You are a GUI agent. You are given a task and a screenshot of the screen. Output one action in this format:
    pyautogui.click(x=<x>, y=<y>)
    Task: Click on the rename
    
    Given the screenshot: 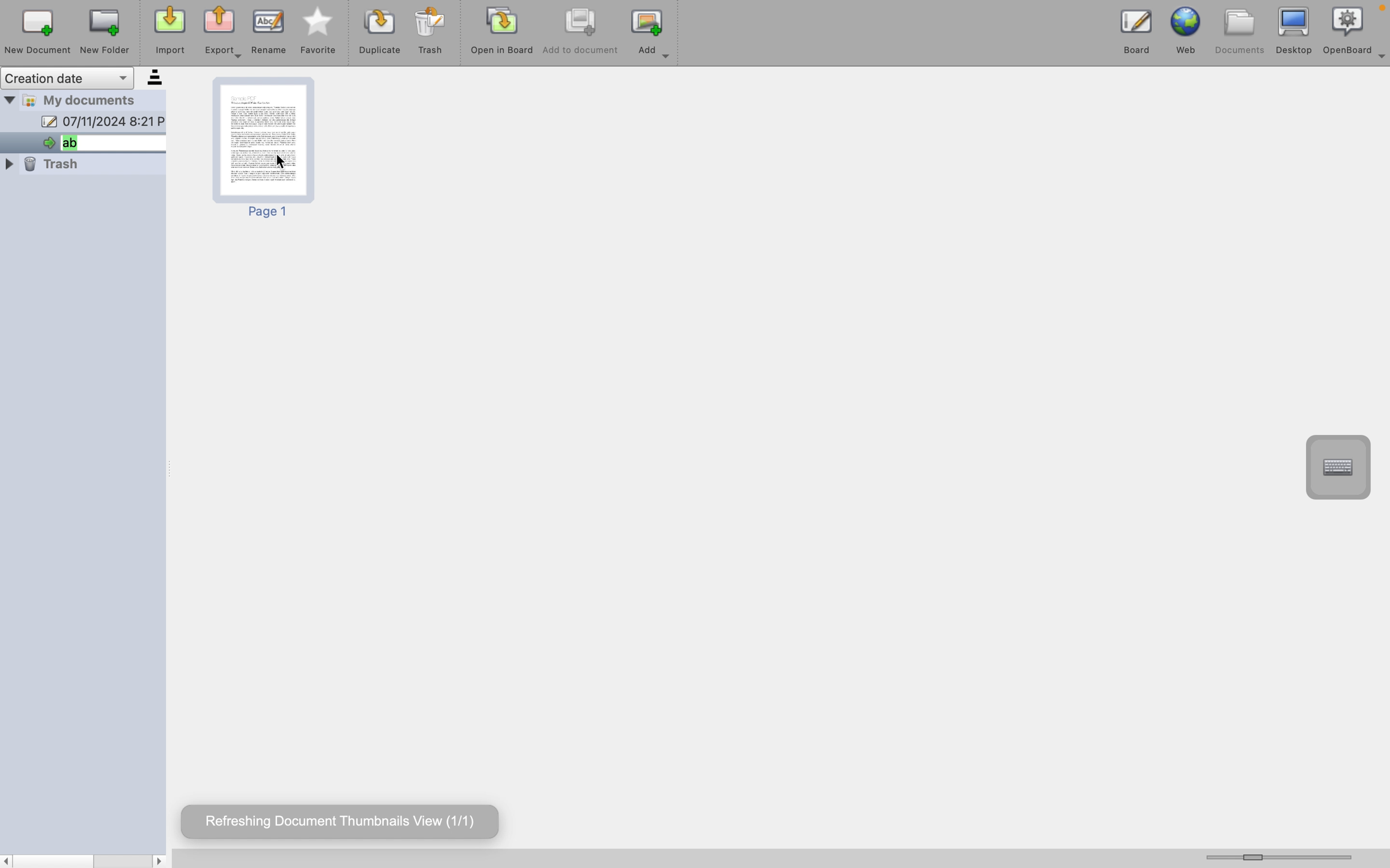 What is the action you would take?
    pyautogui.click(x=271, y=32)
    